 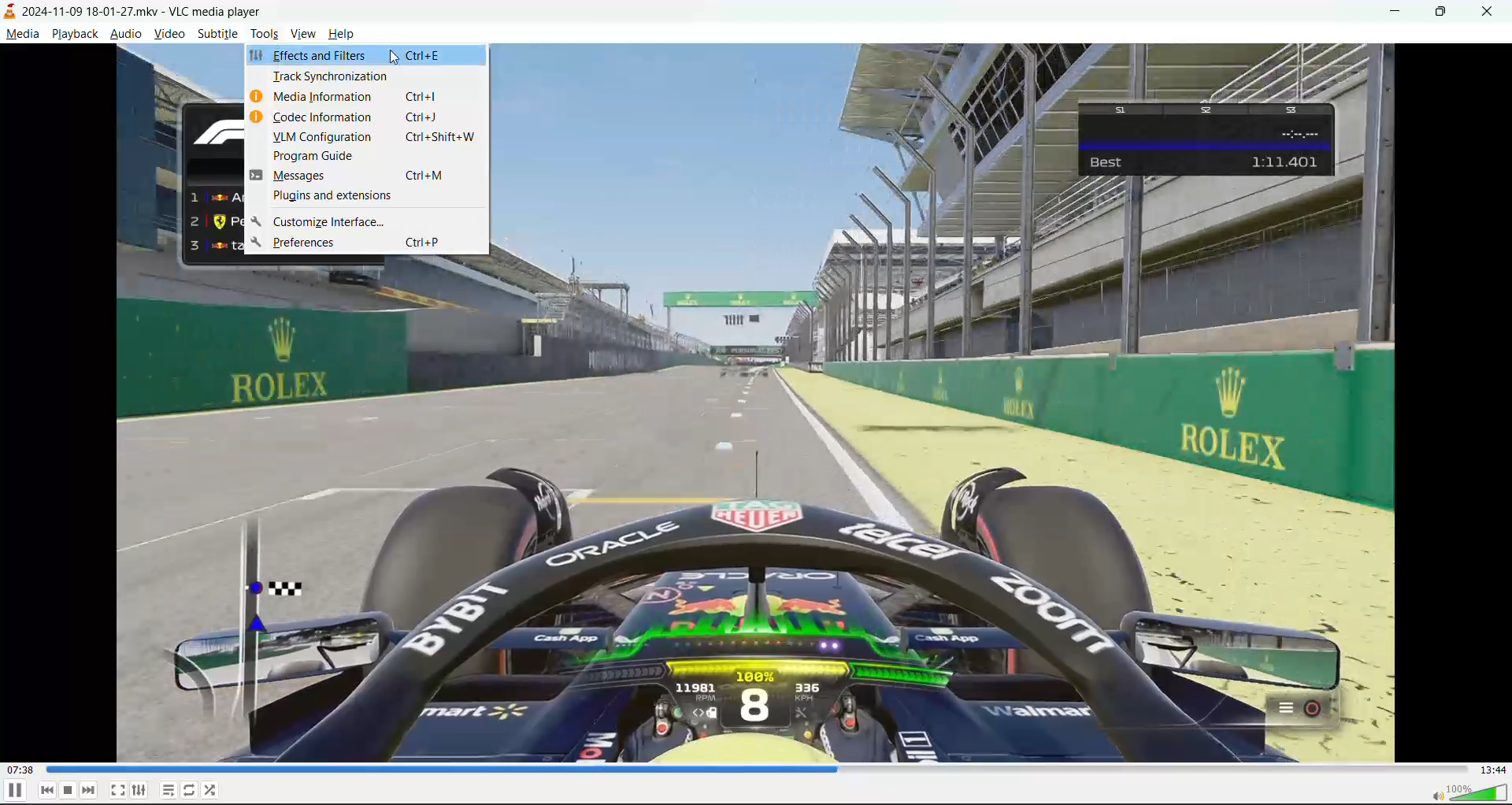 I want to click on close, so click(x=1492, y=9).